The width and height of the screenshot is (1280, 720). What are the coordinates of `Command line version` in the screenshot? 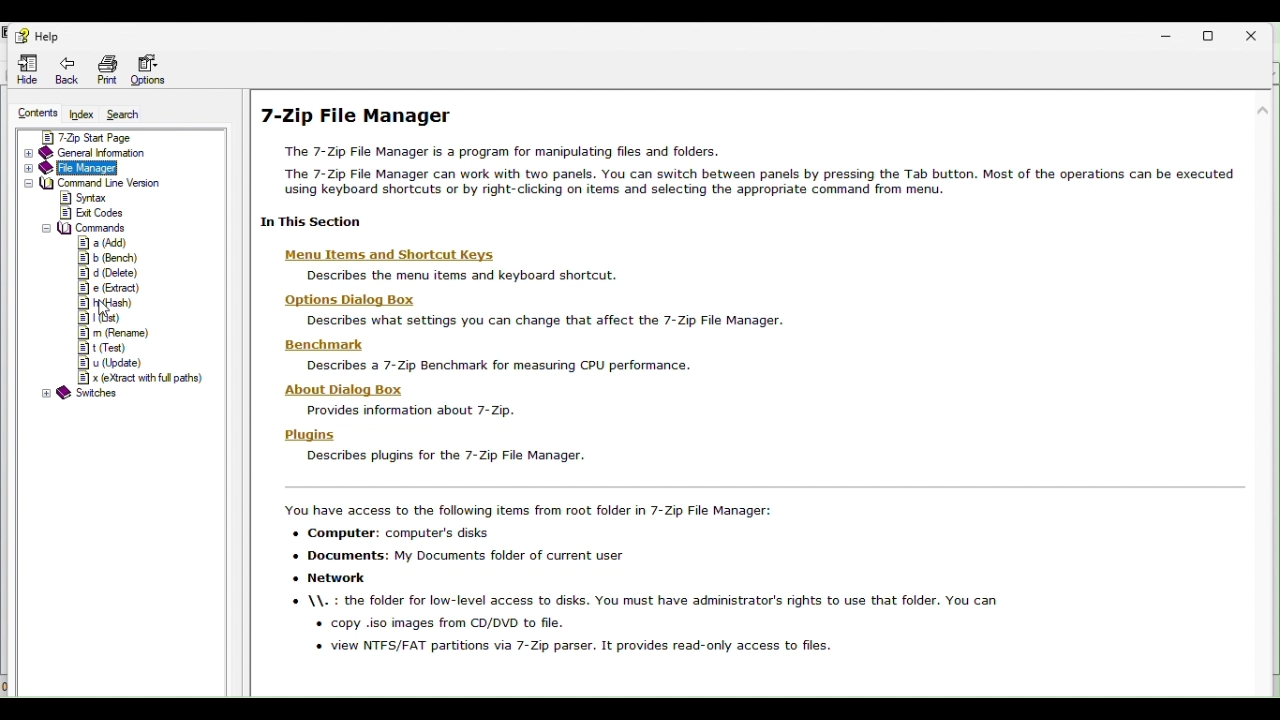 It's located at (115, 183).